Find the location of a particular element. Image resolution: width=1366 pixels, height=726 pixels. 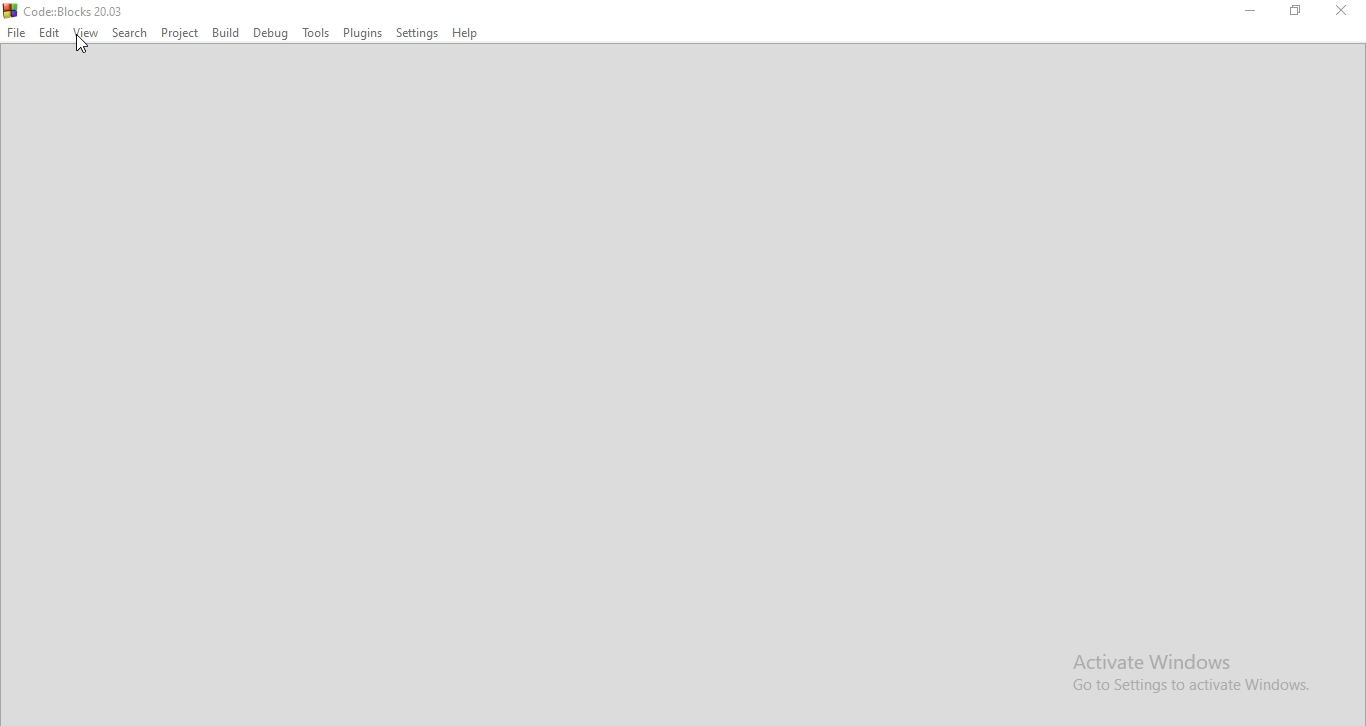

Restore is located at coordinates (1297, 13).